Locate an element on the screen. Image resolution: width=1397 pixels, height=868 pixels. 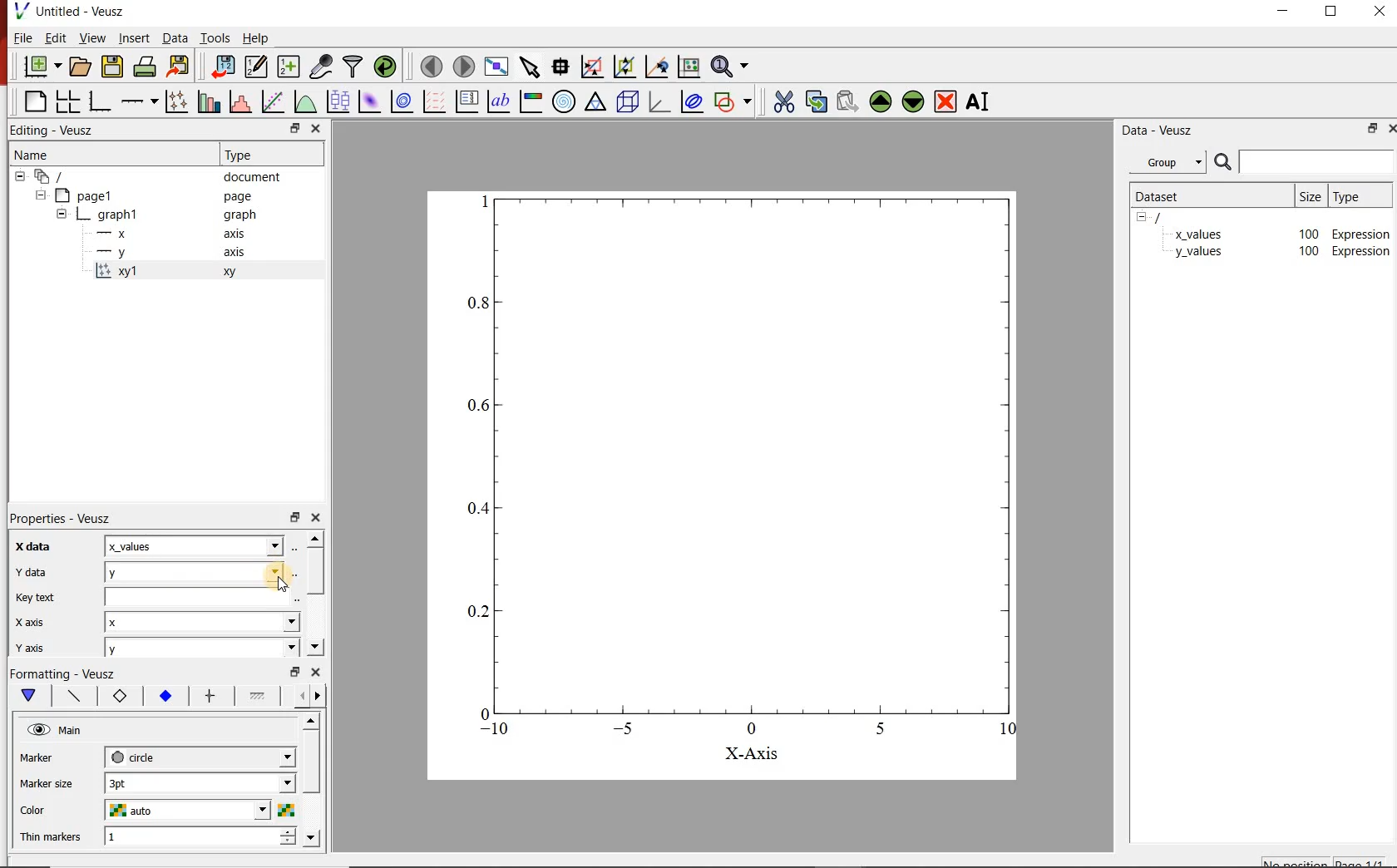
polar graph is located at coordinates (565, 103).